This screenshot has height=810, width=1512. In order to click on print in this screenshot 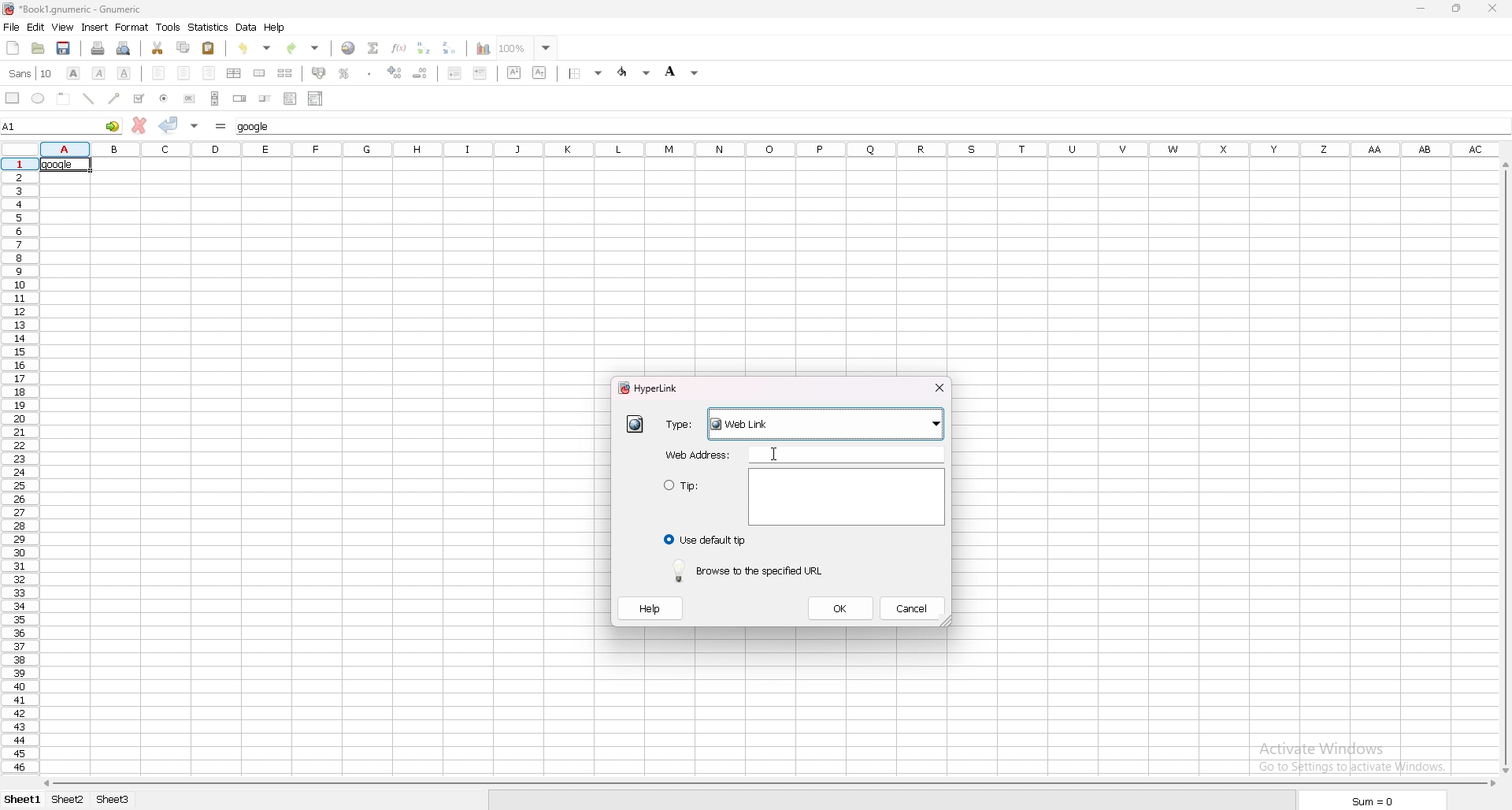, I will do `click(98, 48)`.